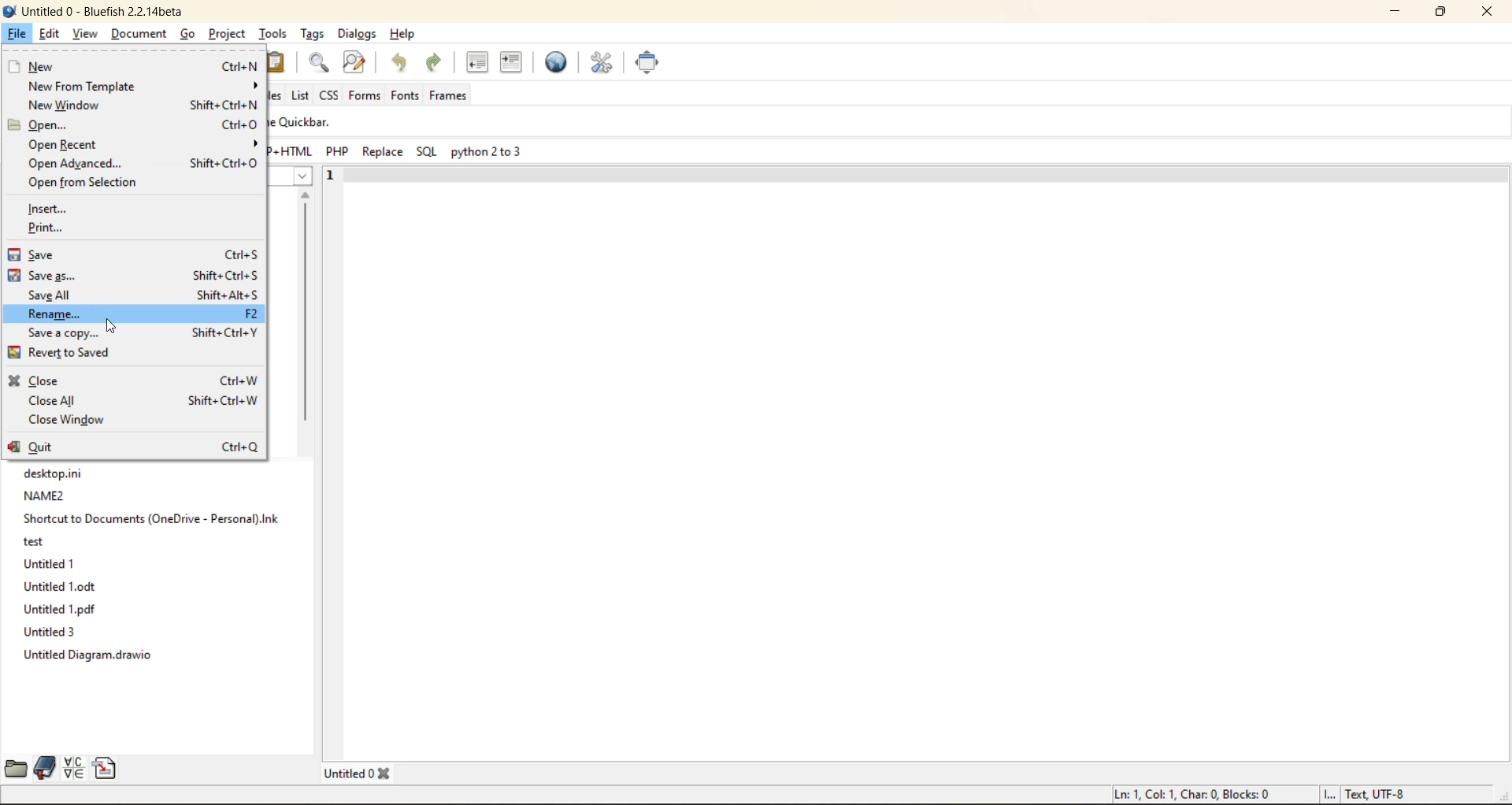 The height and width of the screenshot is (805, 1512). Describe the element at coordinates (1490, 11) in the screenshot. I see `close` at that location.